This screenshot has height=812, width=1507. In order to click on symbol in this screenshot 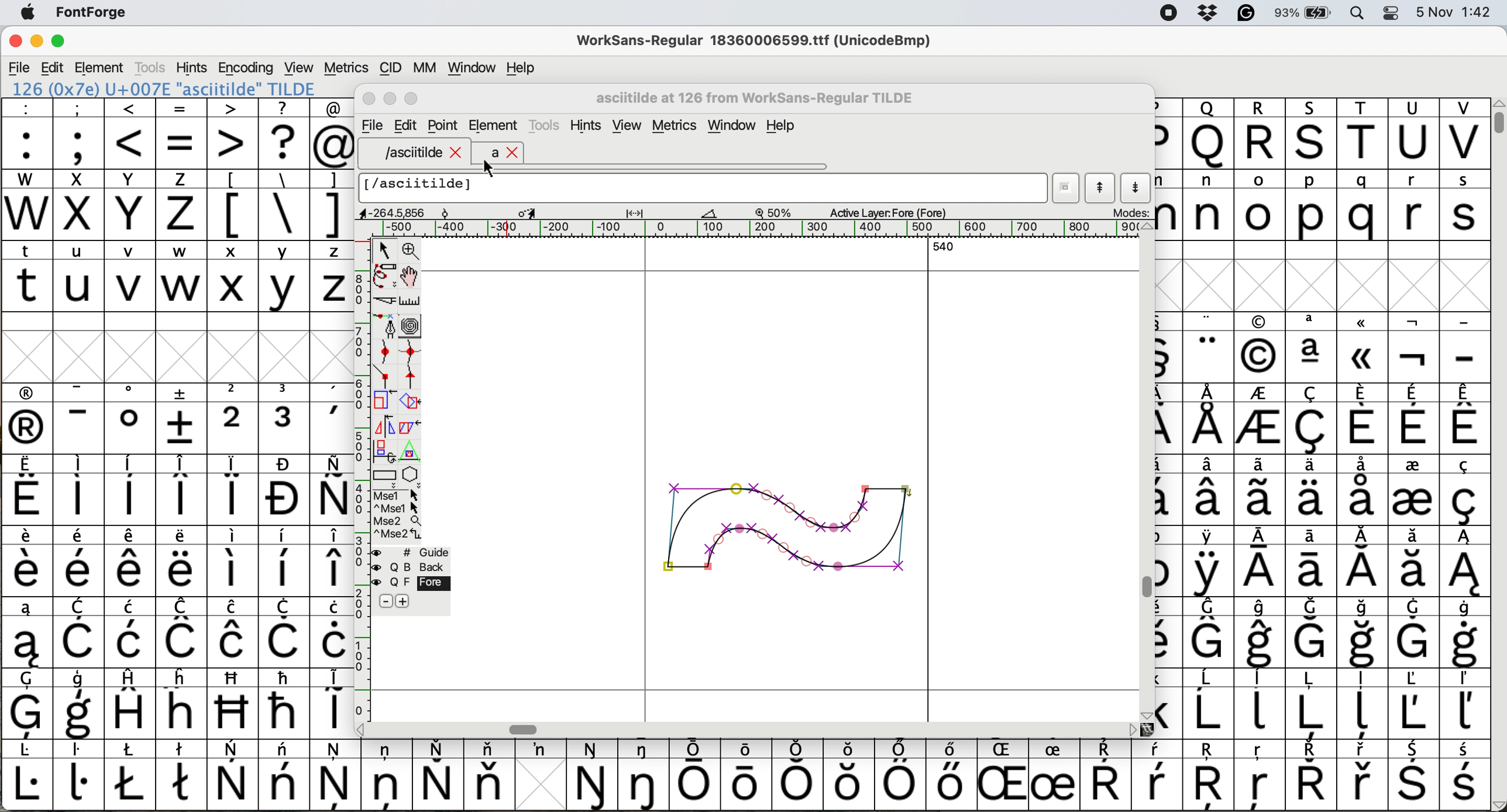, I will do `click(1157, 775)`.